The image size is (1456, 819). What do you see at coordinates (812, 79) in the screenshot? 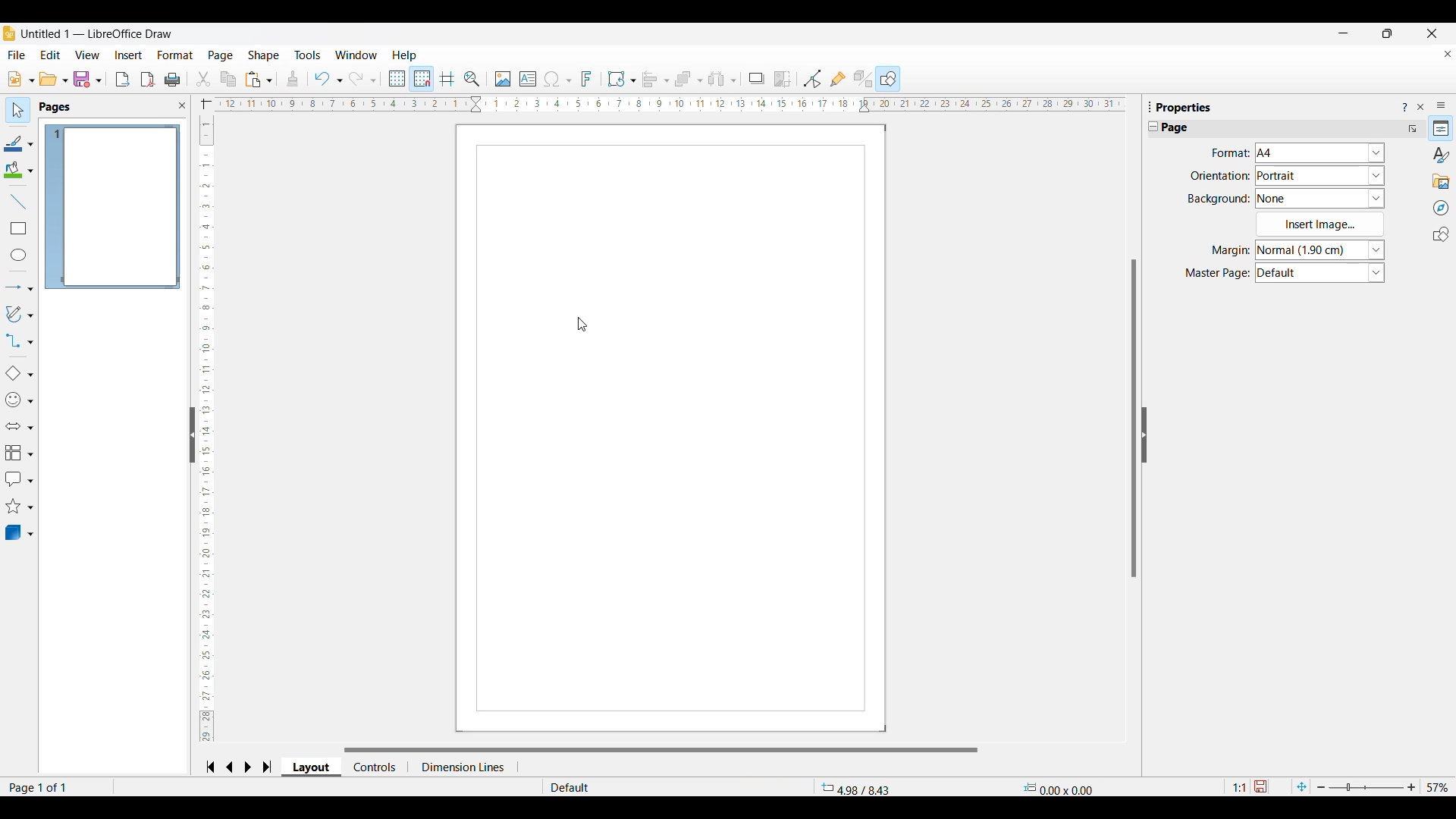
I see `Toggle point edit mode` at bounding box center [812, 79].